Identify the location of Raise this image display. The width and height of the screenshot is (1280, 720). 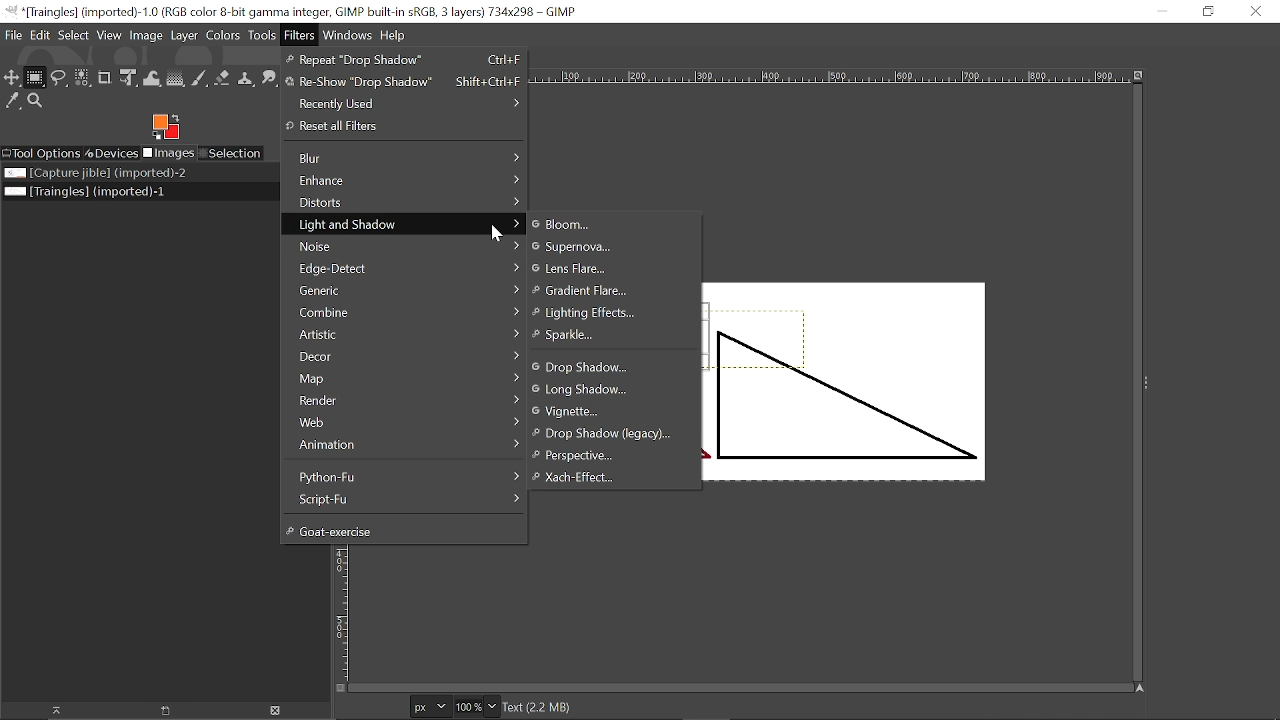
(54, 710).